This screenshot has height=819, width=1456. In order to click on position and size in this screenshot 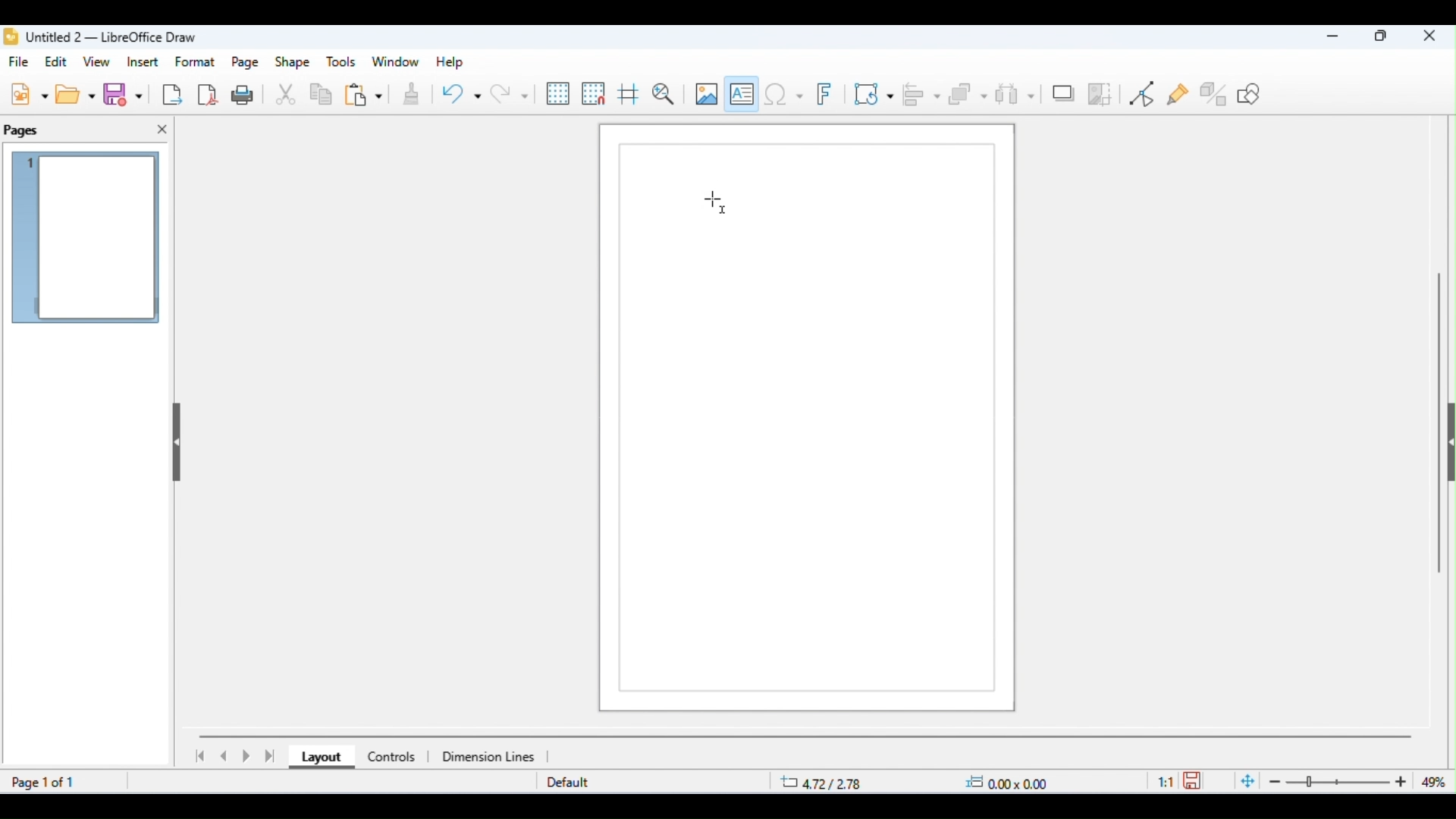, I will do `click(916, 783)`.